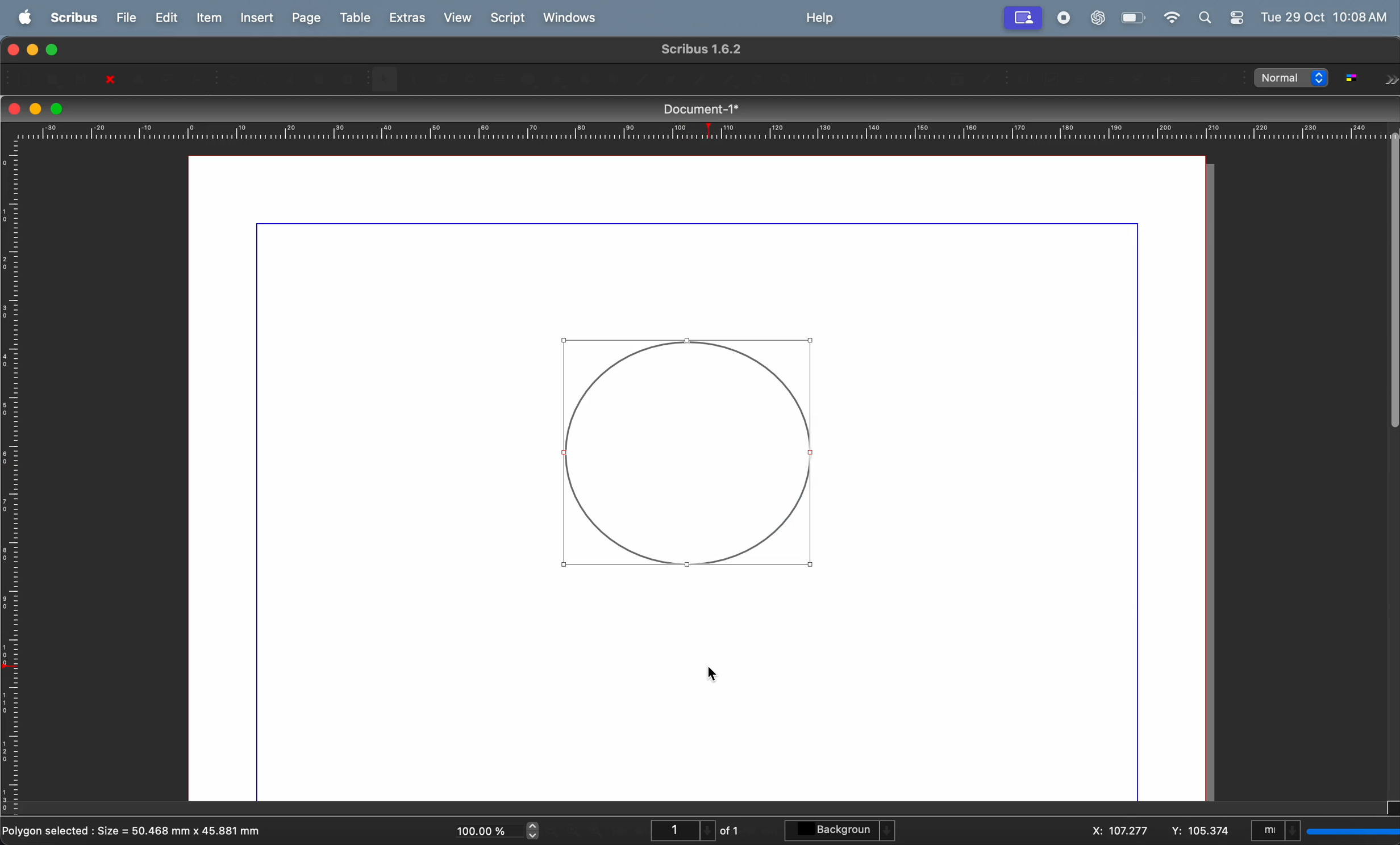  Describe the element at coordinates (1197, 830) in the screenshot. I see `y co ordinate` at that location.